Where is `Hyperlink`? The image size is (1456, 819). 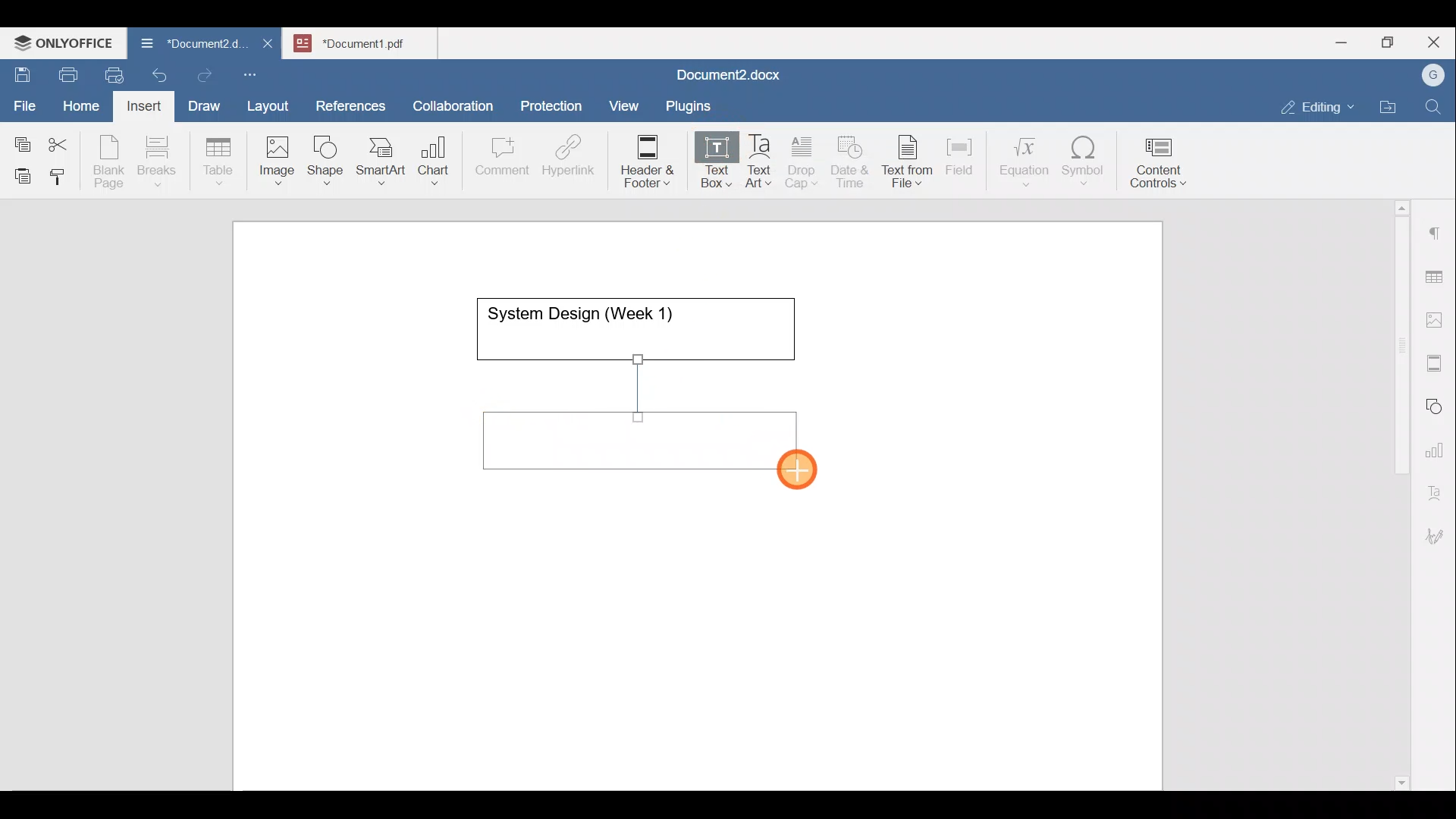
Hyperlink is located at coordinates (573, 160).